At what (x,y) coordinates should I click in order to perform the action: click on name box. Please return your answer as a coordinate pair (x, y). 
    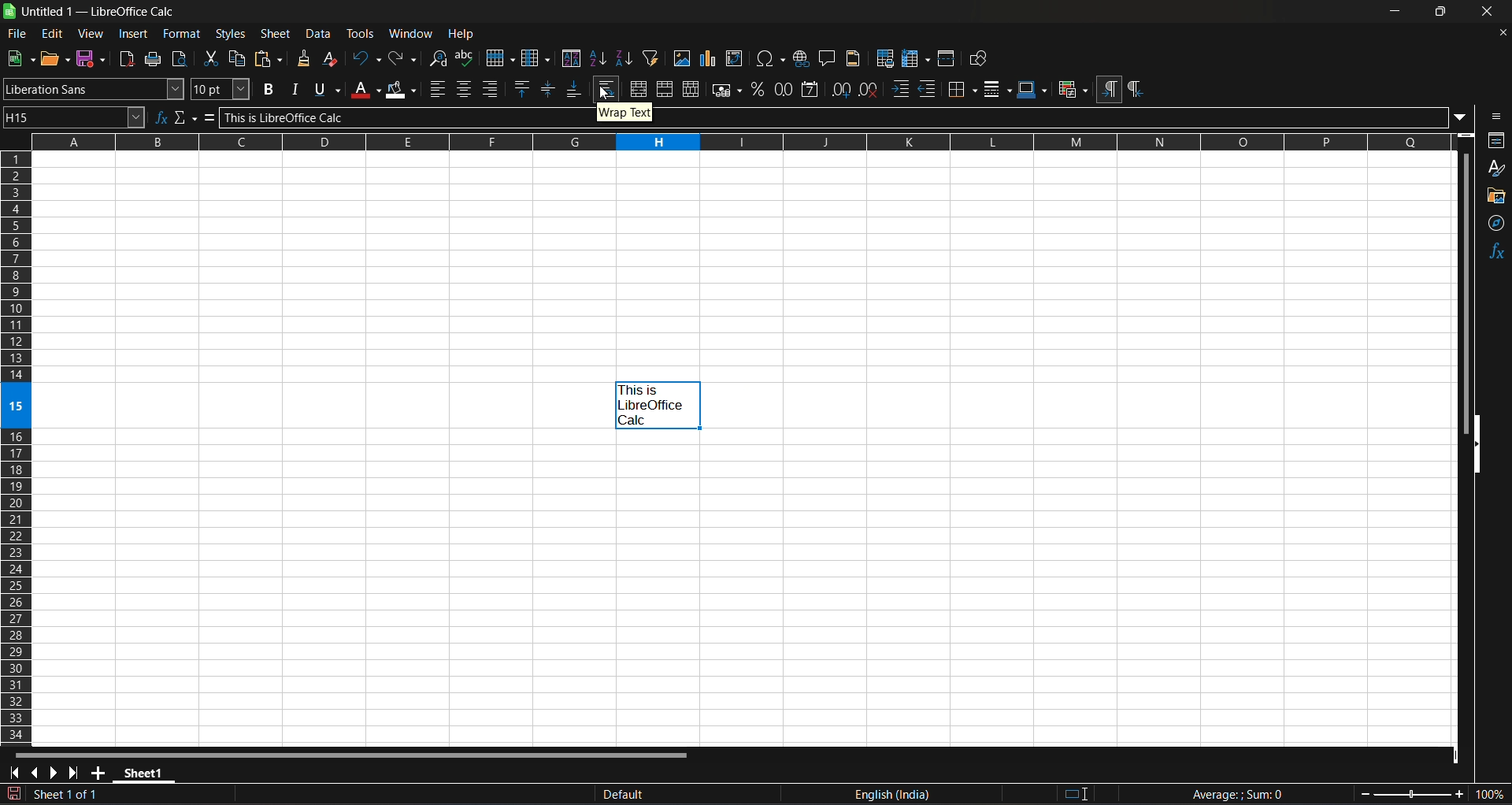
    Looking at the image, I should click on (75, 117).